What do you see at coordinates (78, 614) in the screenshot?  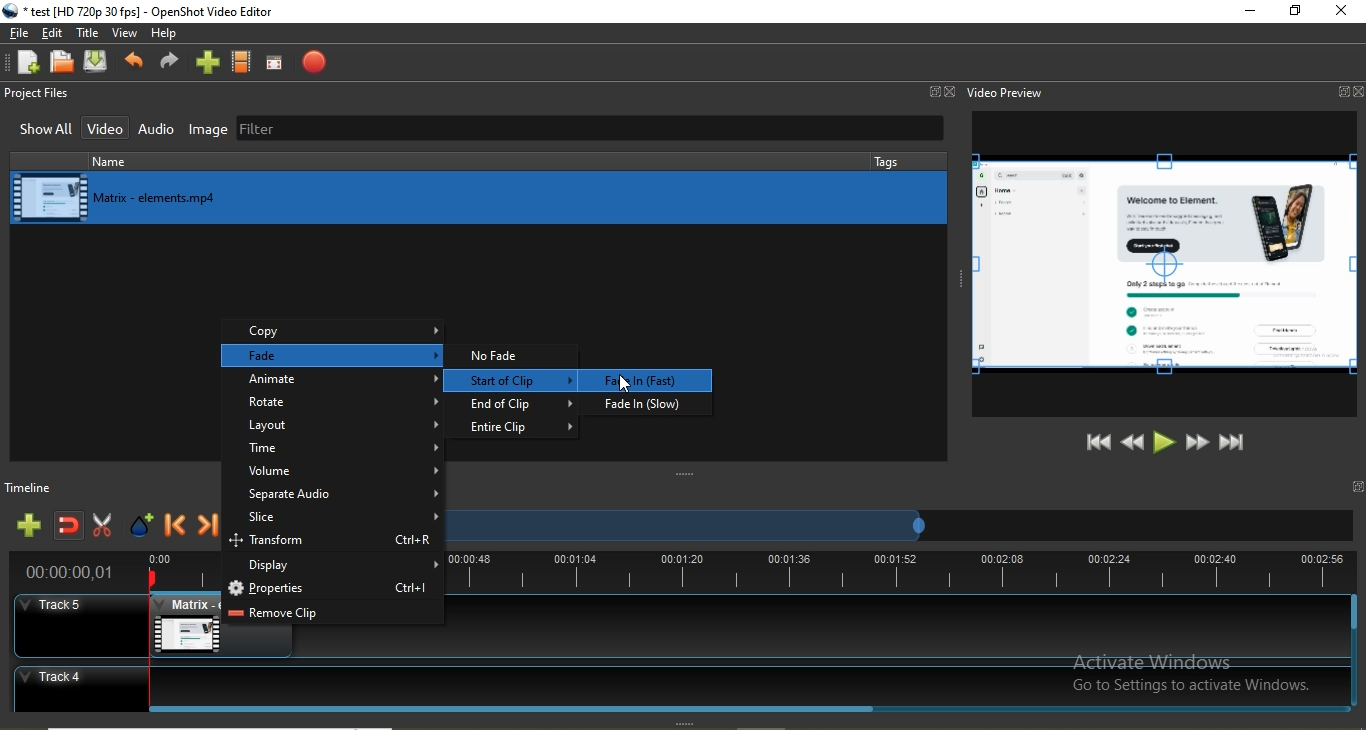 I see `track 5` at bounding box center [78, 614].